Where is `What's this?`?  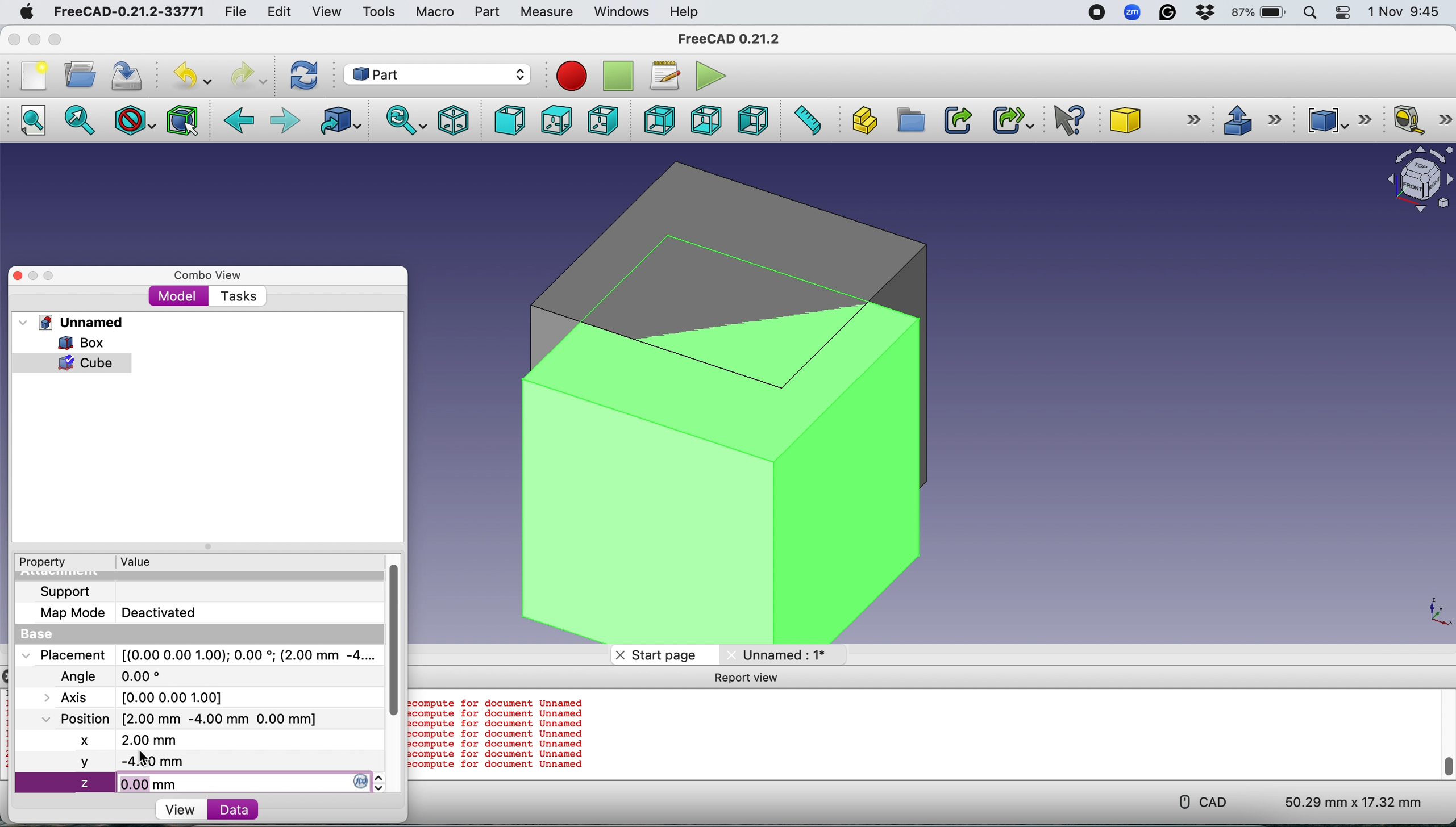 What's this? is located at coordinates (1071, 120).